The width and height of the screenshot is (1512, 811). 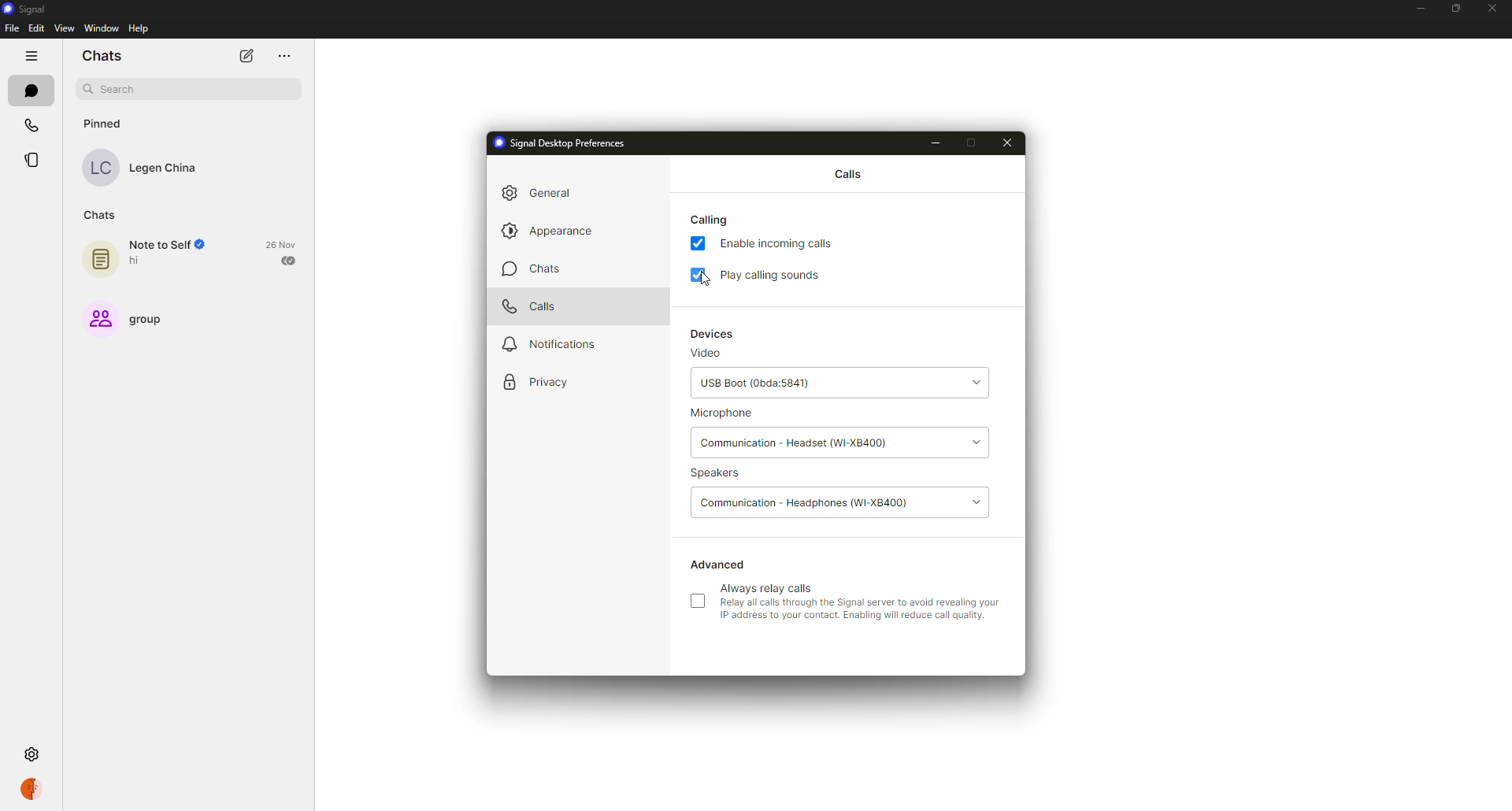 What do you see at coordinates (69, 29) in the screenshot?
I see `view` at bounding box center [69, 29].